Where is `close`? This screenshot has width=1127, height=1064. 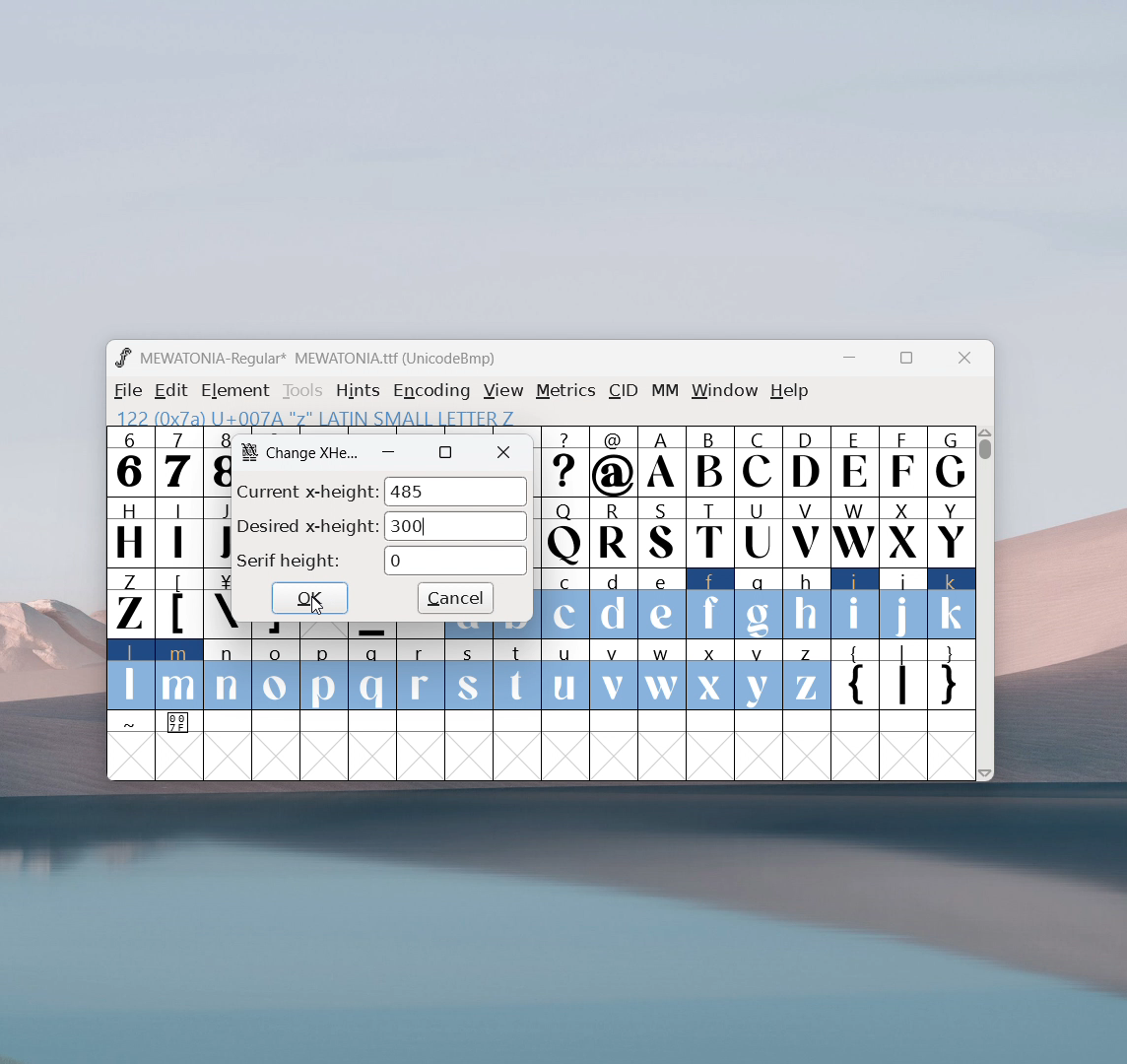 close is located at coordinates (504, 453).